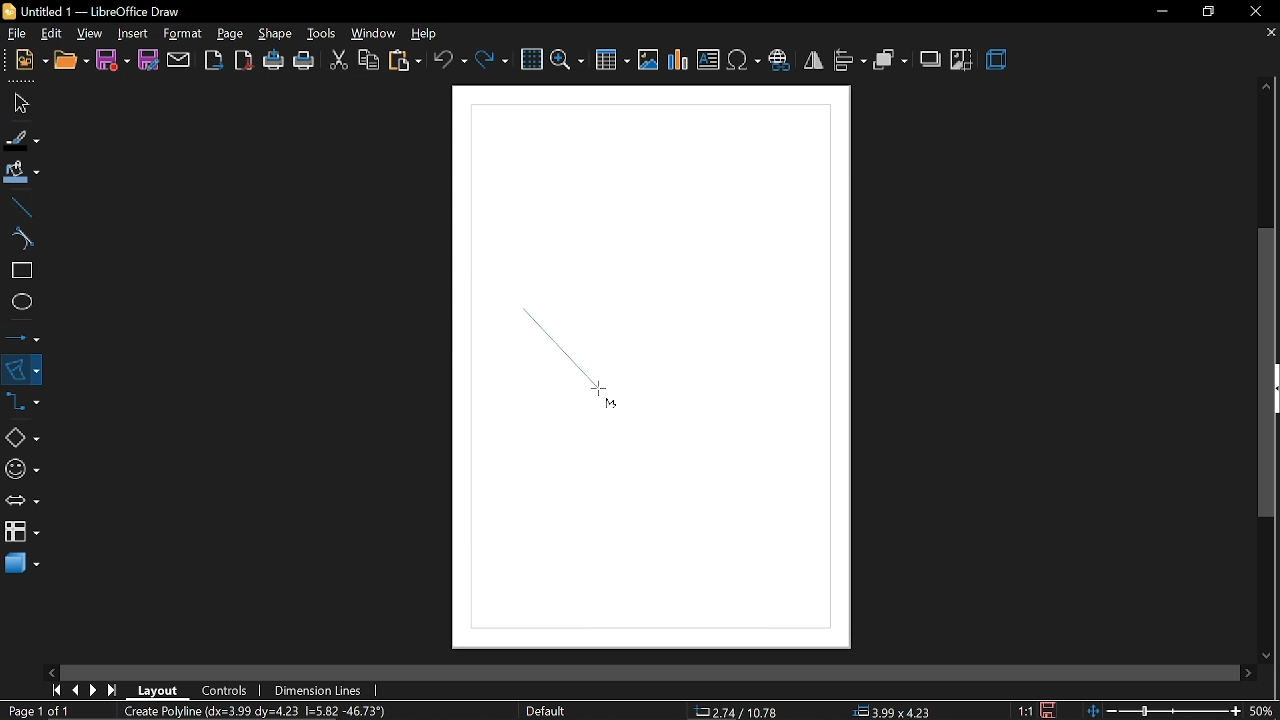 The height and width of the screenshot is (720, 1280). I want to click on tools, so click(321, 34).